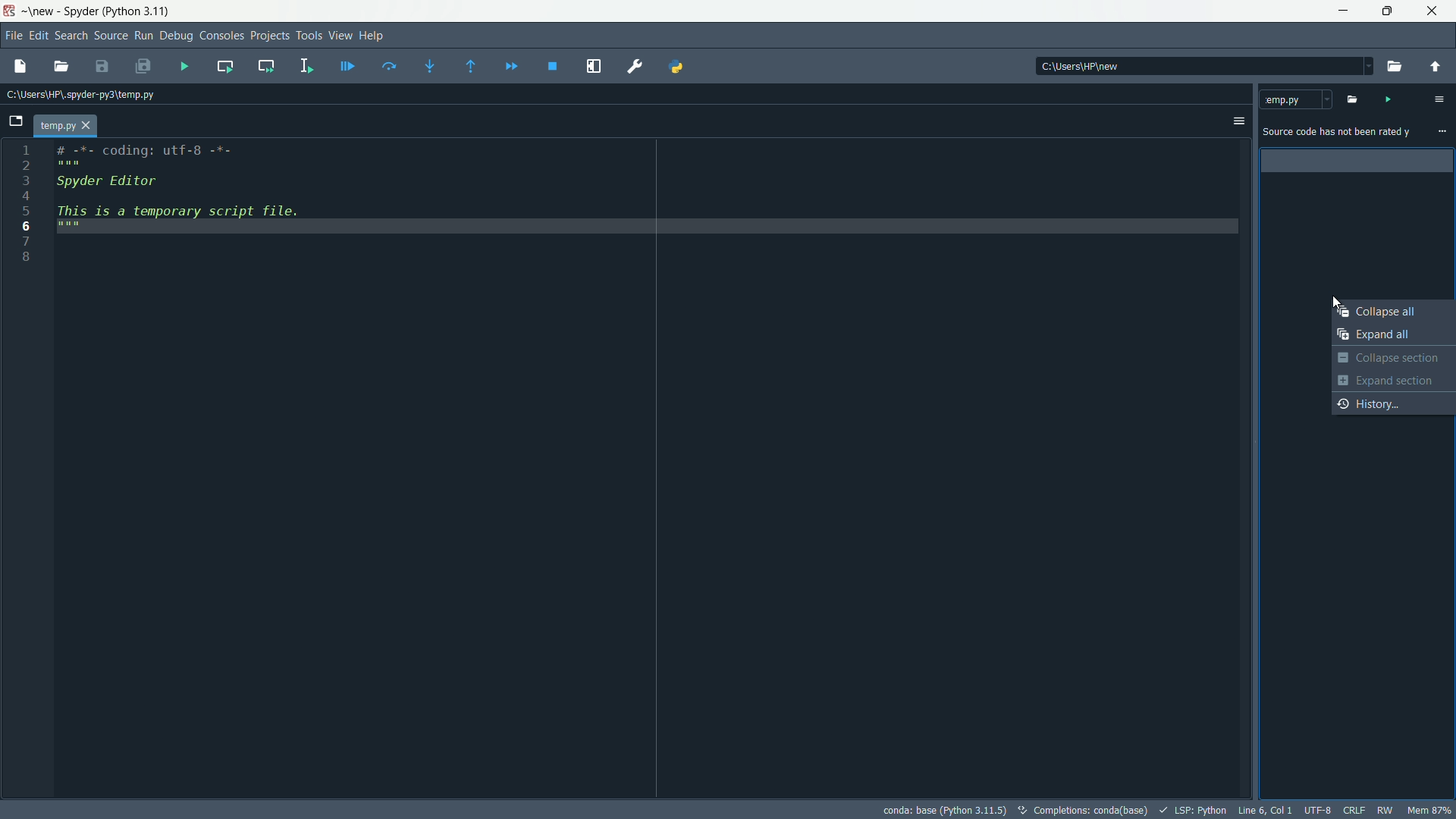 The width and height of the screenshot is (1456, 819). I want to click on projects menu, so click(269, 36).